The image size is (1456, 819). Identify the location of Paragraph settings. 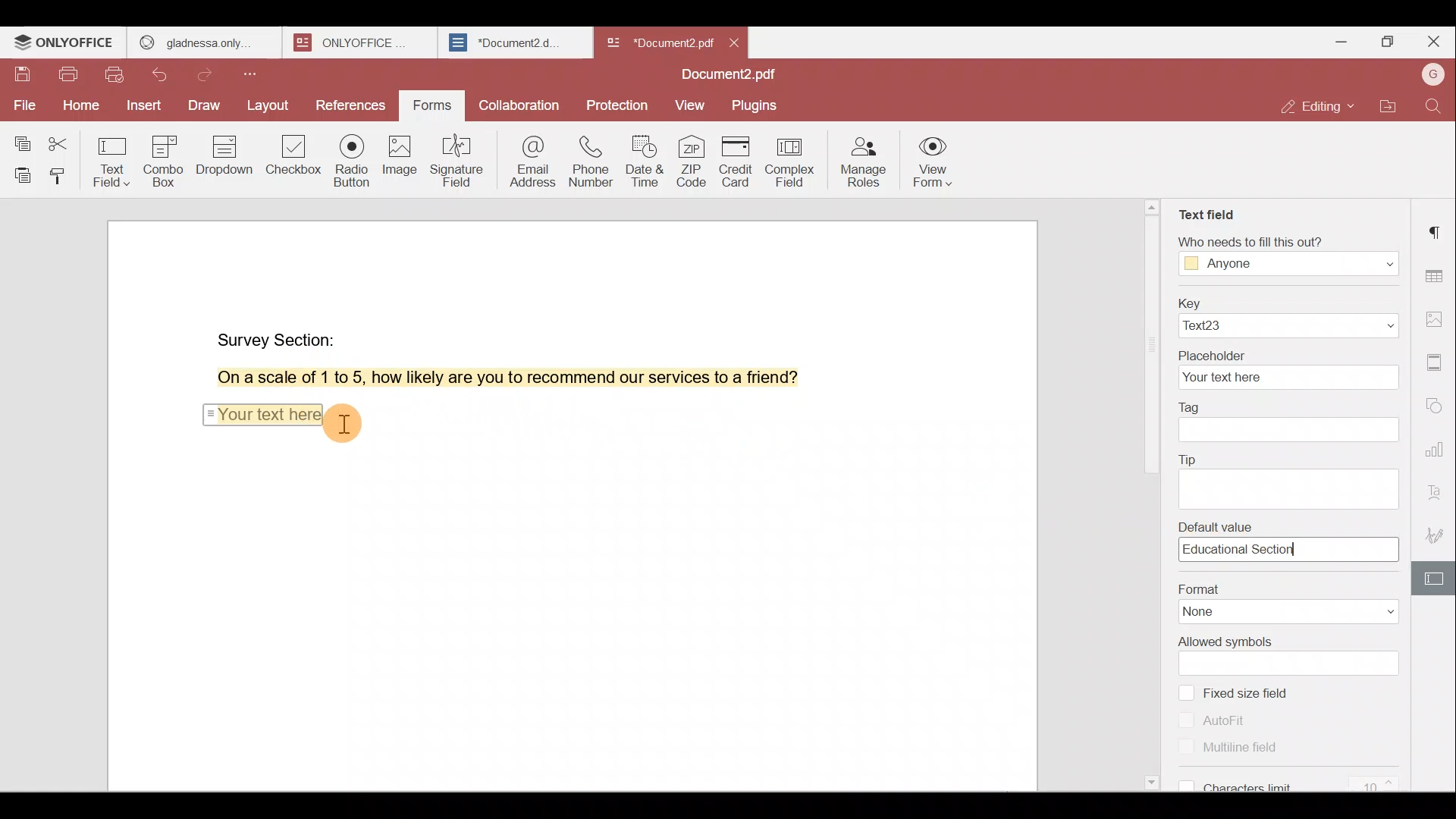
(1437, 231).